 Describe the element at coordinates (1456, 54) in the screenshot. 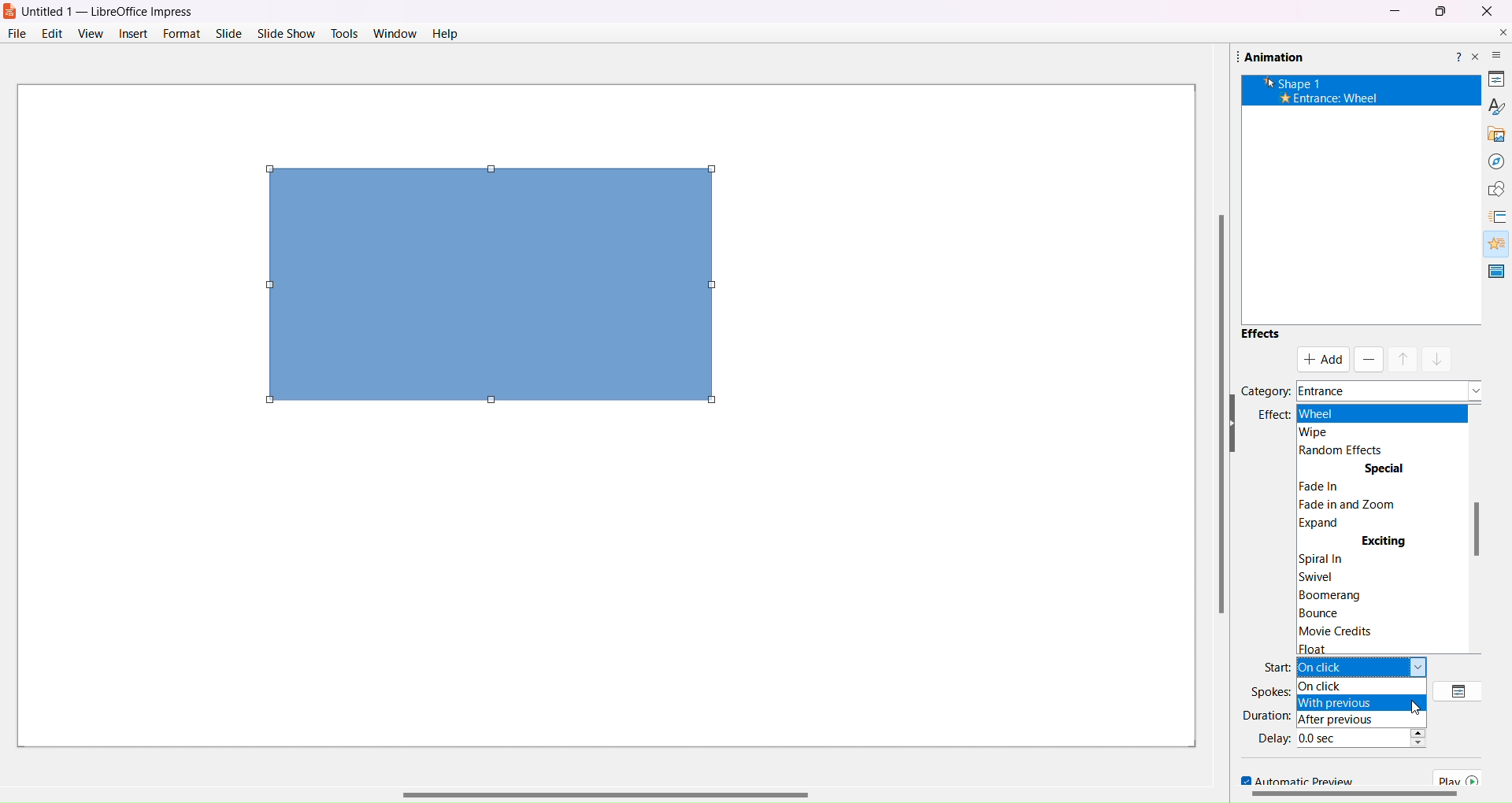

I see `Help` at that location.